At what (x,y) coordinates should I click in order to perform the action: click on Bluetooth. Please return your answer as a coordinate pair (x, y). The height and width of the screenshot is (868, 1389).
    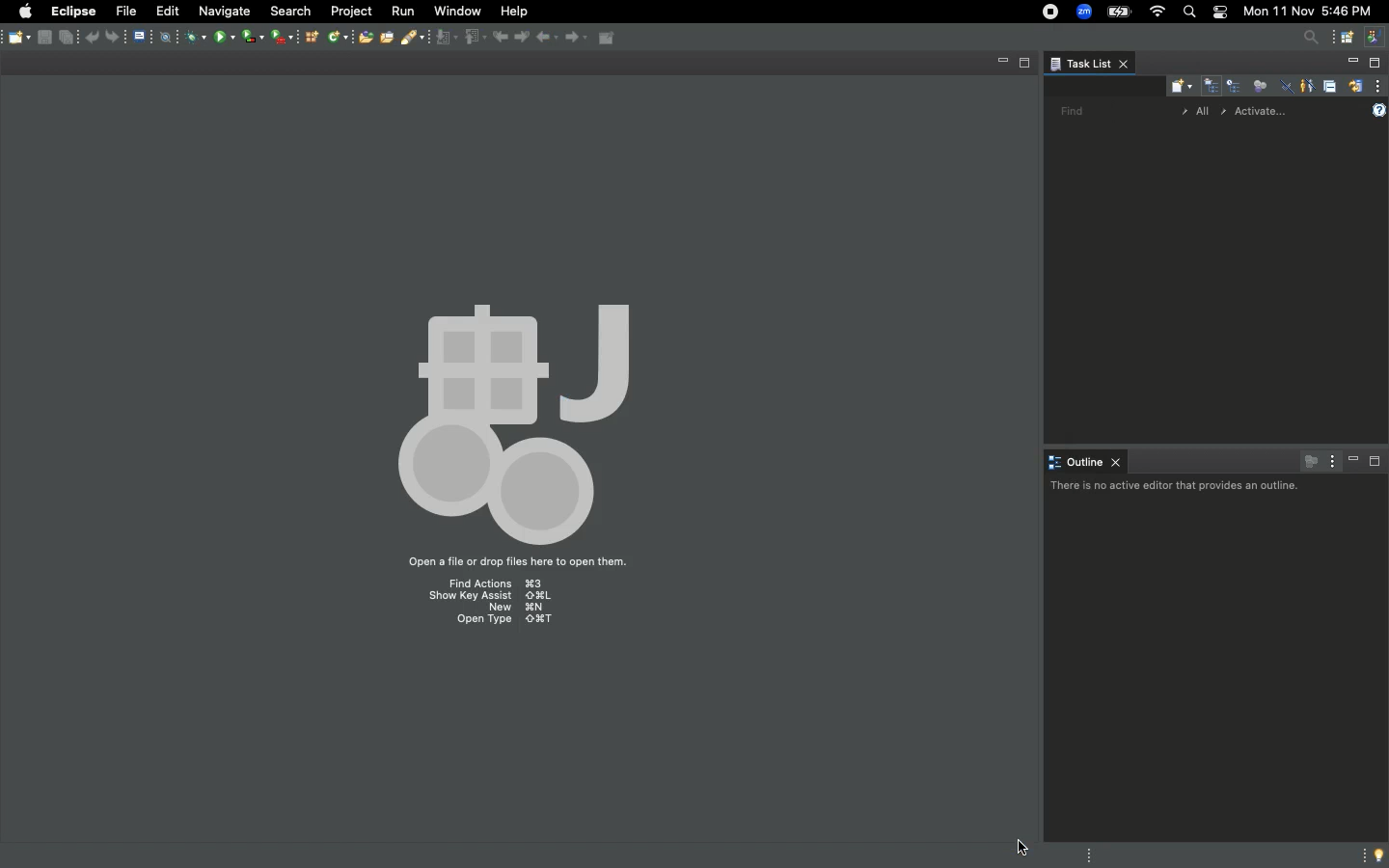
    Looking at the image, I should click on (266, 41).